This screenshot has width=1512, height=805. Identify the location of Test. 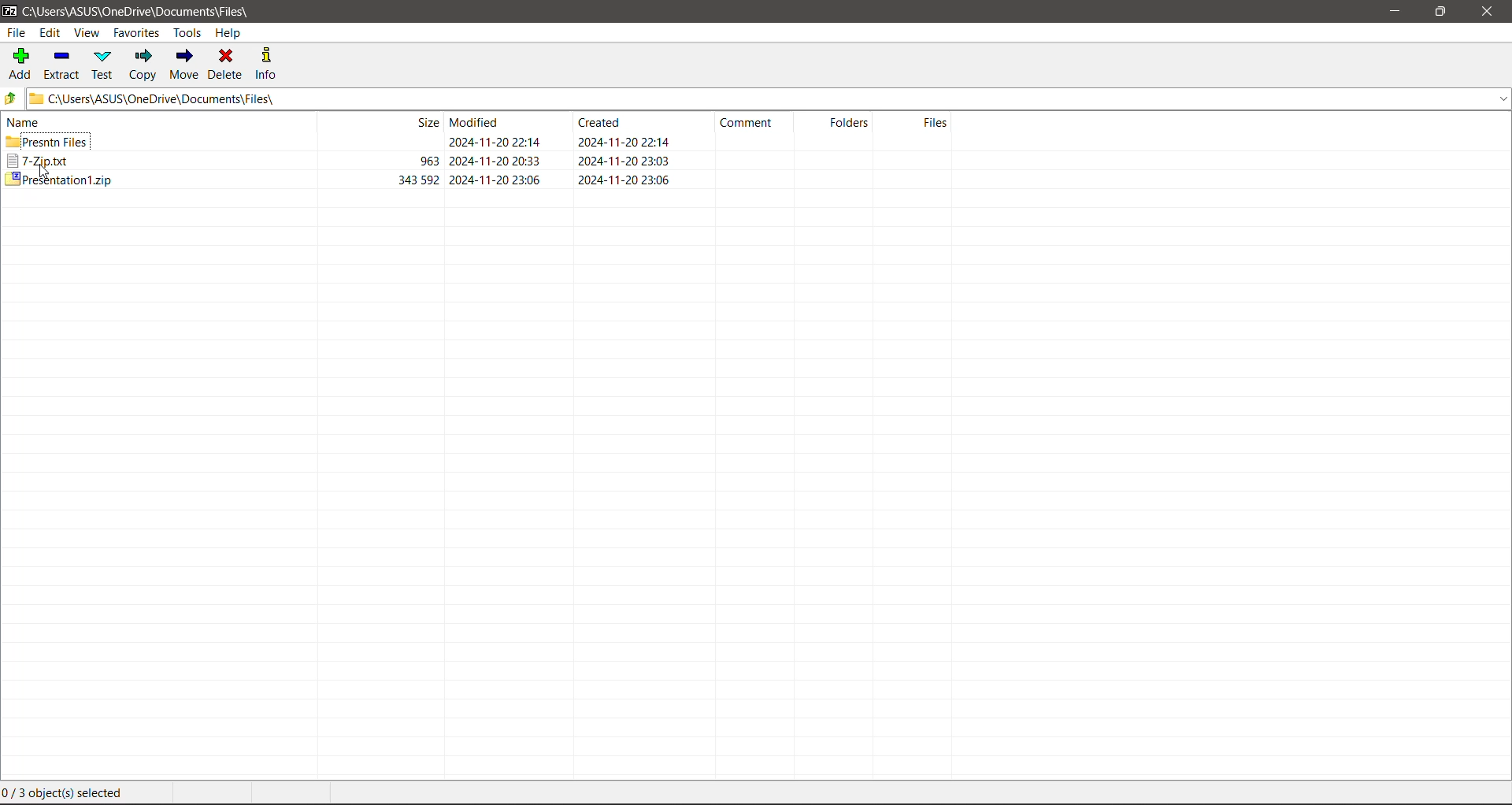
(104, 65).